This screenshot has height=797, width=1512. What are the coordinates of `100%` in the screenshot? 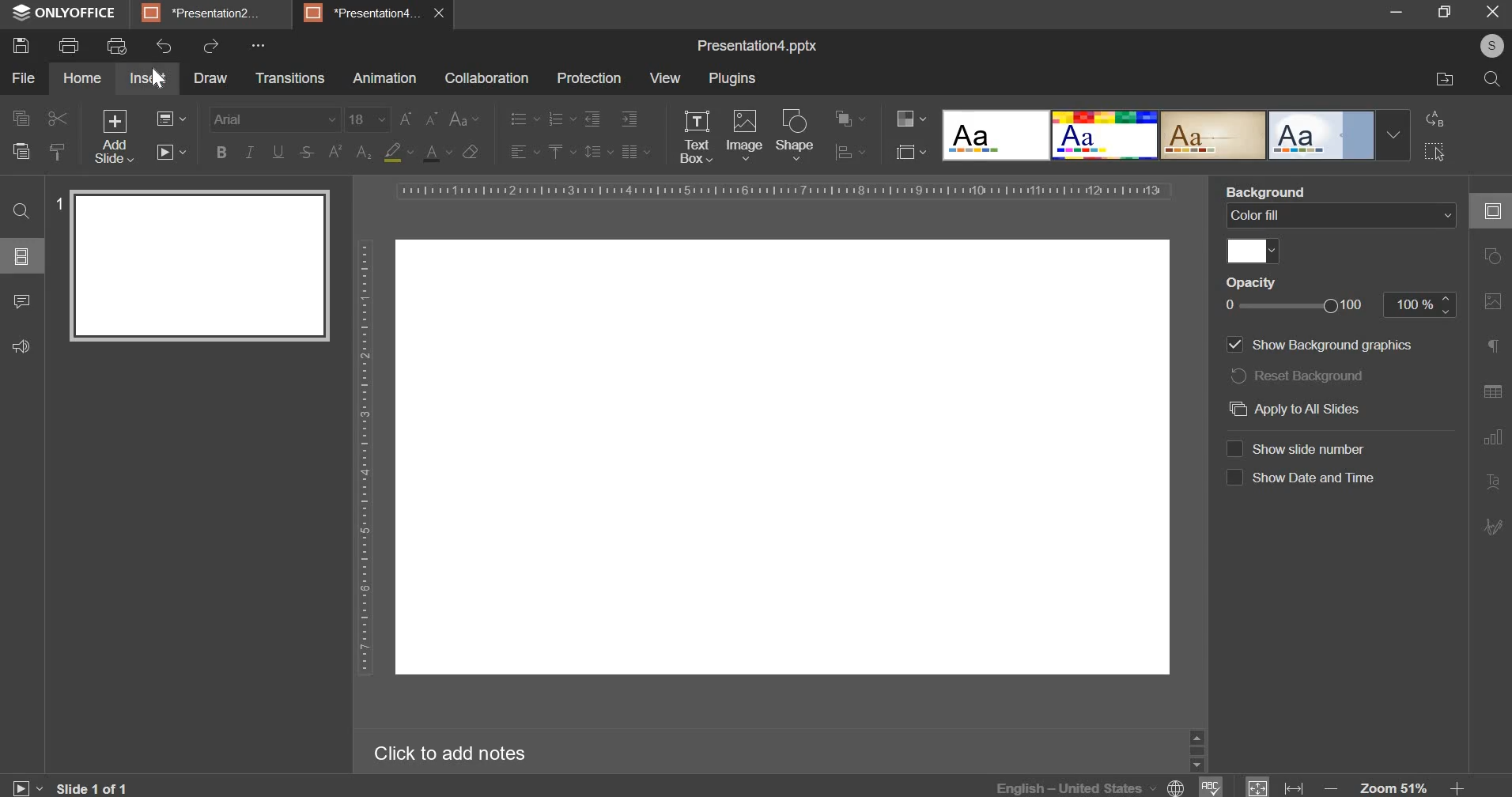 It's located at (1423, 306).